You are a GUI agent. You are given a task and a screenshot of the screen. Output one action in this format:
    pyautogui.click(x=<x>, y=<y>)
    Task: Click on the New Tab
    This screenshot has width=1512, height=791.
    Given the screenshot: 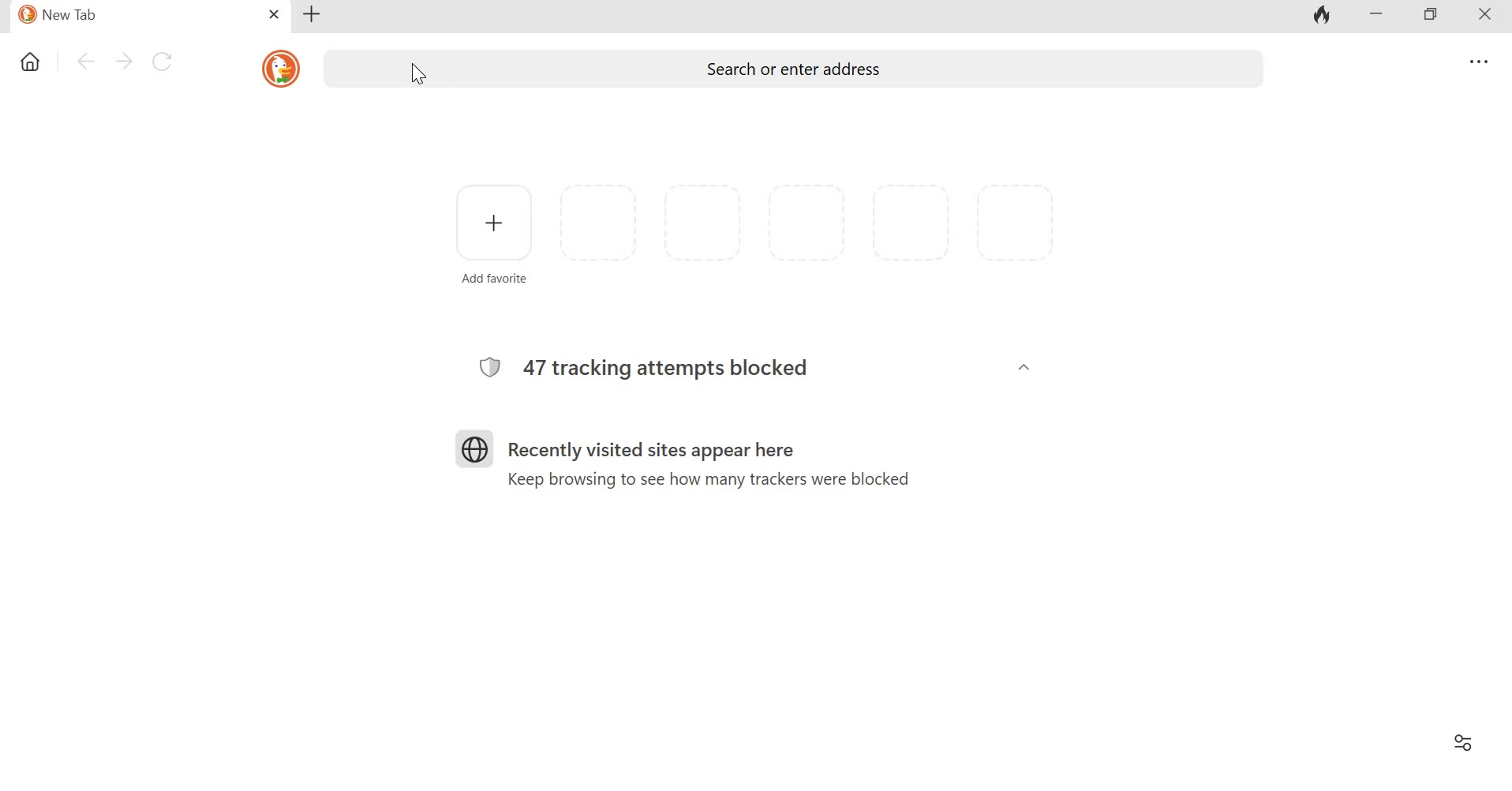 What is the action you would take?
    pyautogui.click(x=139, y=17)
    